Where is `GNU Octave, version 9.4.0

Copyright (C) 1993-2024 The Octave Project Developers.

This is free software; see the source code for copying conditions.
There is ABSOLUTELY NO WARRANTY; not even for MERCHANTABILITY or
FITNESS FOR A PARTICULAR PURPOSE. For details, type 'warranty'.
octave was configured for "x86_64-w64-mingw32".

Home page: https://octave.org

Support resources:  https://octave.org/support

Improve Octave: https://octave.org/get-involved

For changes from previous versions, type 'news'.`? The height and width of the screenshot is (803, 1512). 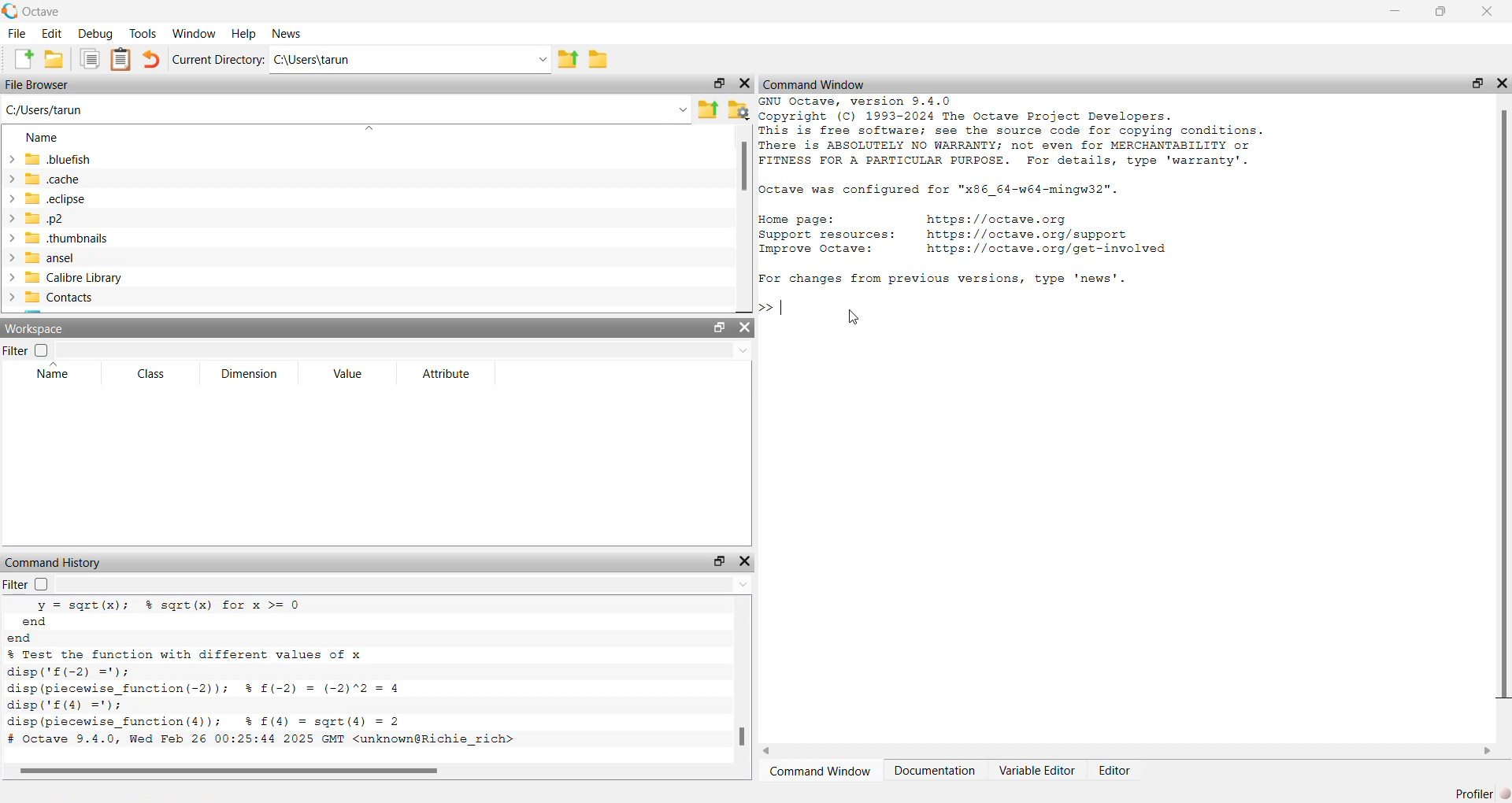 GNU Octave, version 9.4.0

Copyright (C) 1993-2024 The Octave Project Developers.

This is free software; see the source code for copying conditions.
There is ABSOLUTELY NO WARRANTY; not even for MERCHANTABILITY or
FITNESS FOR A PARTICULAR PURPOSE. For details, type 'warranty'.
octave was configured for "x86_64-w64-mingw32".

Home page: https://octave.org

Support resources:  https://octave.org/support

Improve Octave: https://octave.org/get-involved

For changes from previous versions, type 'news'. is located at coordinates (1034, 194).